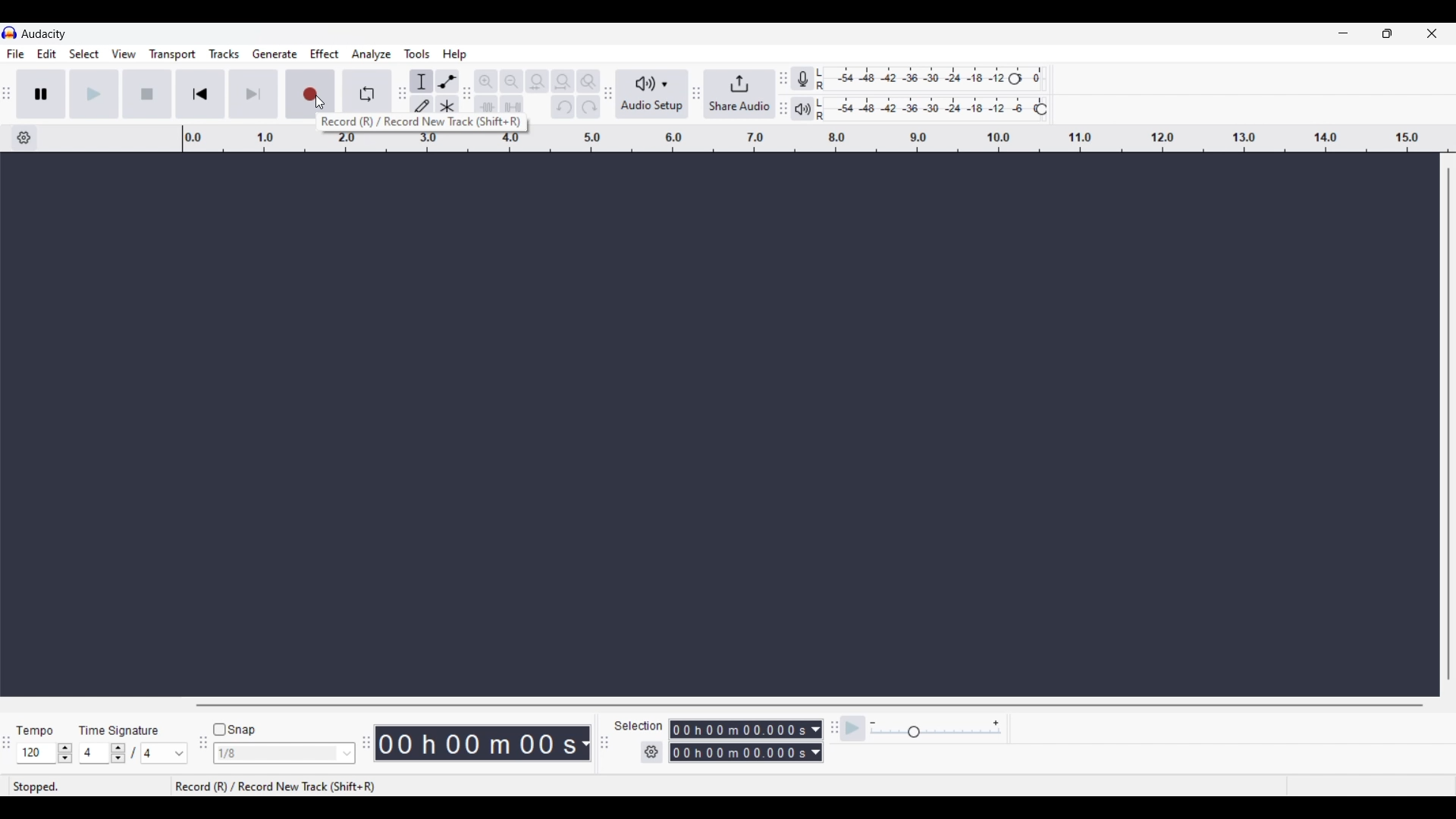  I want to click on Envelop tool, so click(447, 81).